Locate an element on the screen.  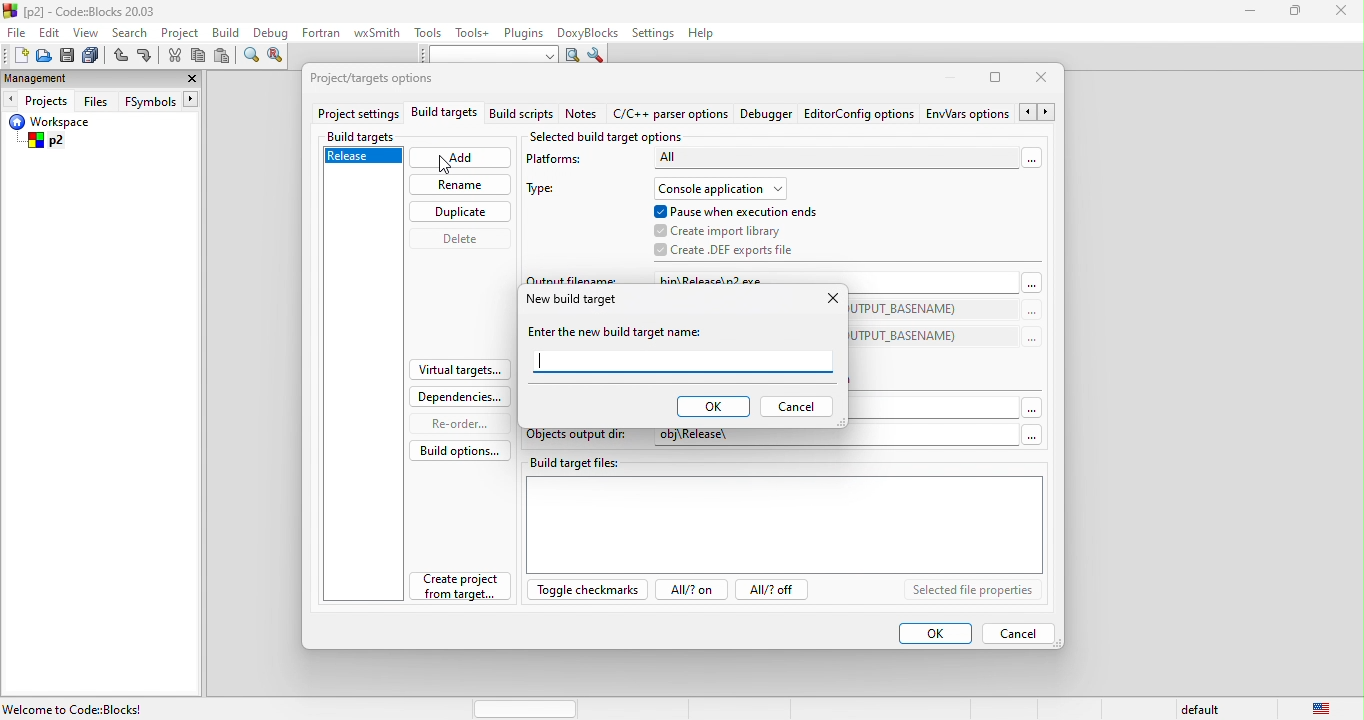
release is located at coordinates (364, 157).